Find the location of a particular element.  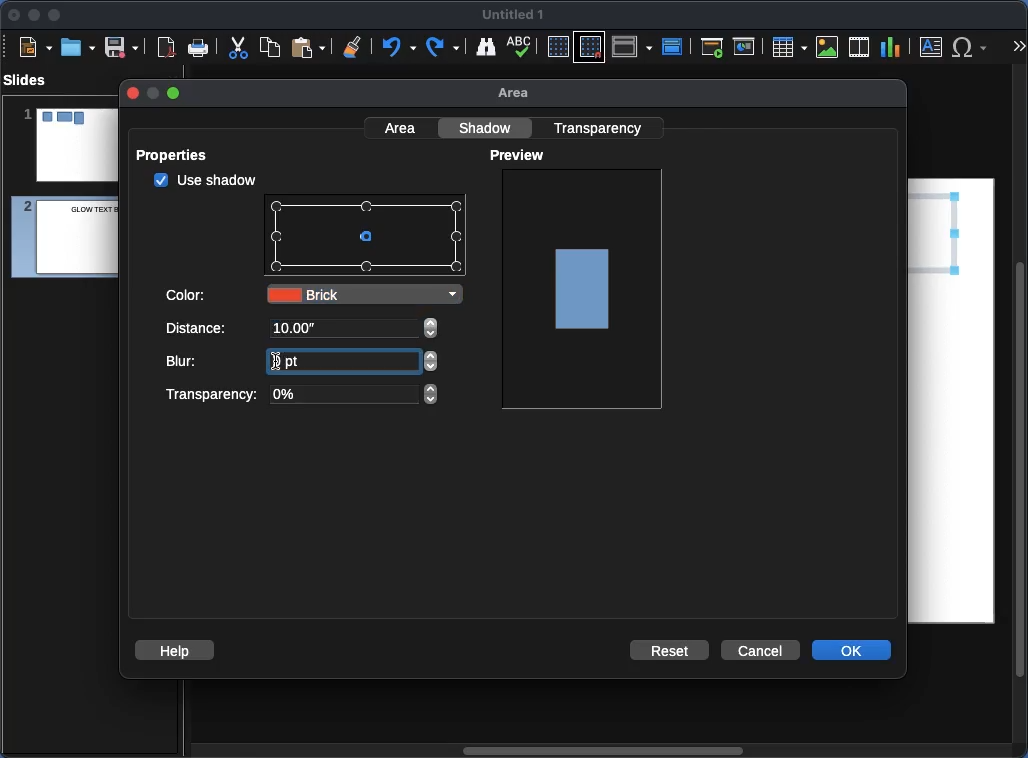

Textbox is located at coordinates (932, 46).